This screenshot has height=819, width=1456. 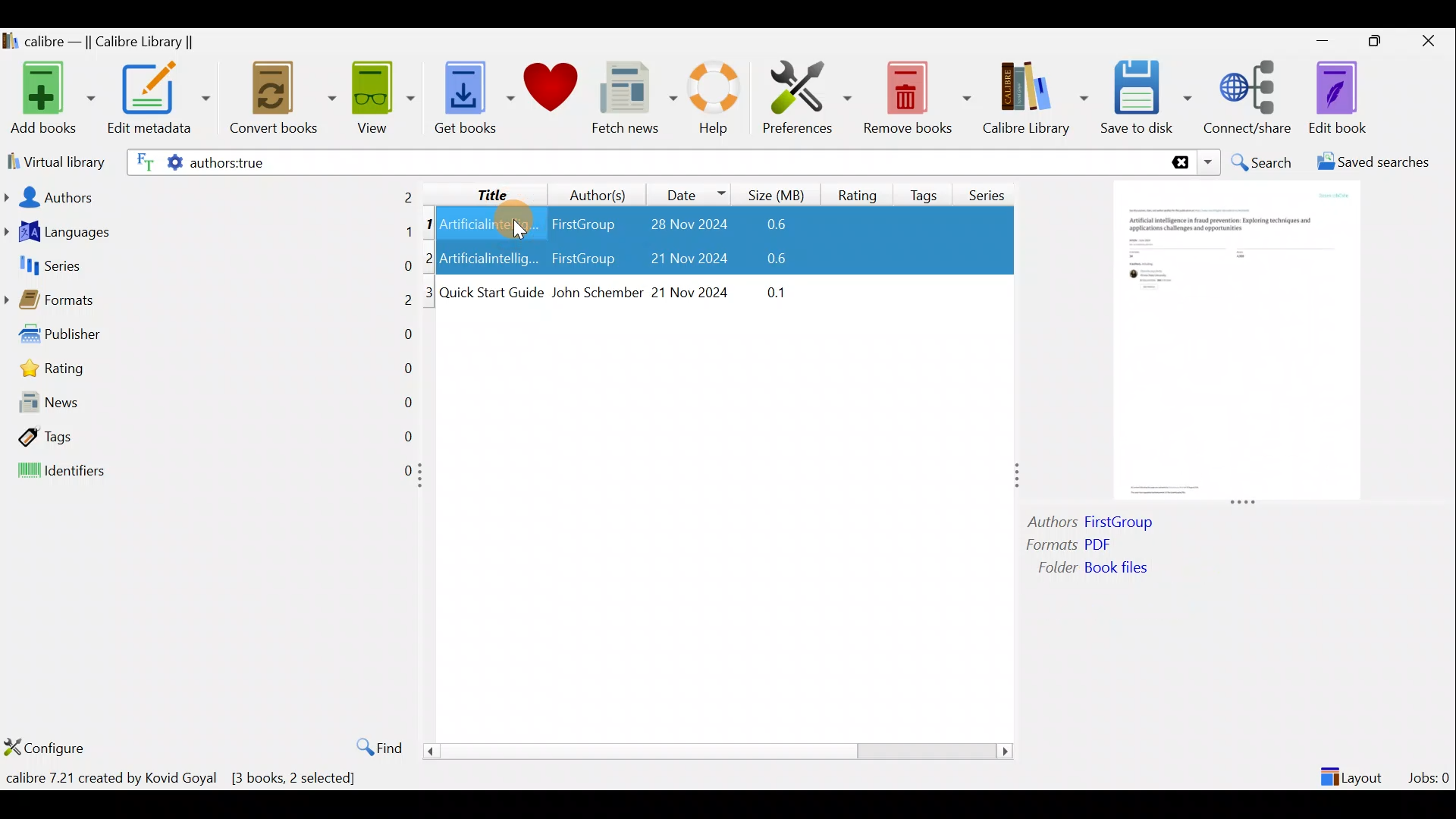 I want to click on Add books, so click(x=50, y=99).